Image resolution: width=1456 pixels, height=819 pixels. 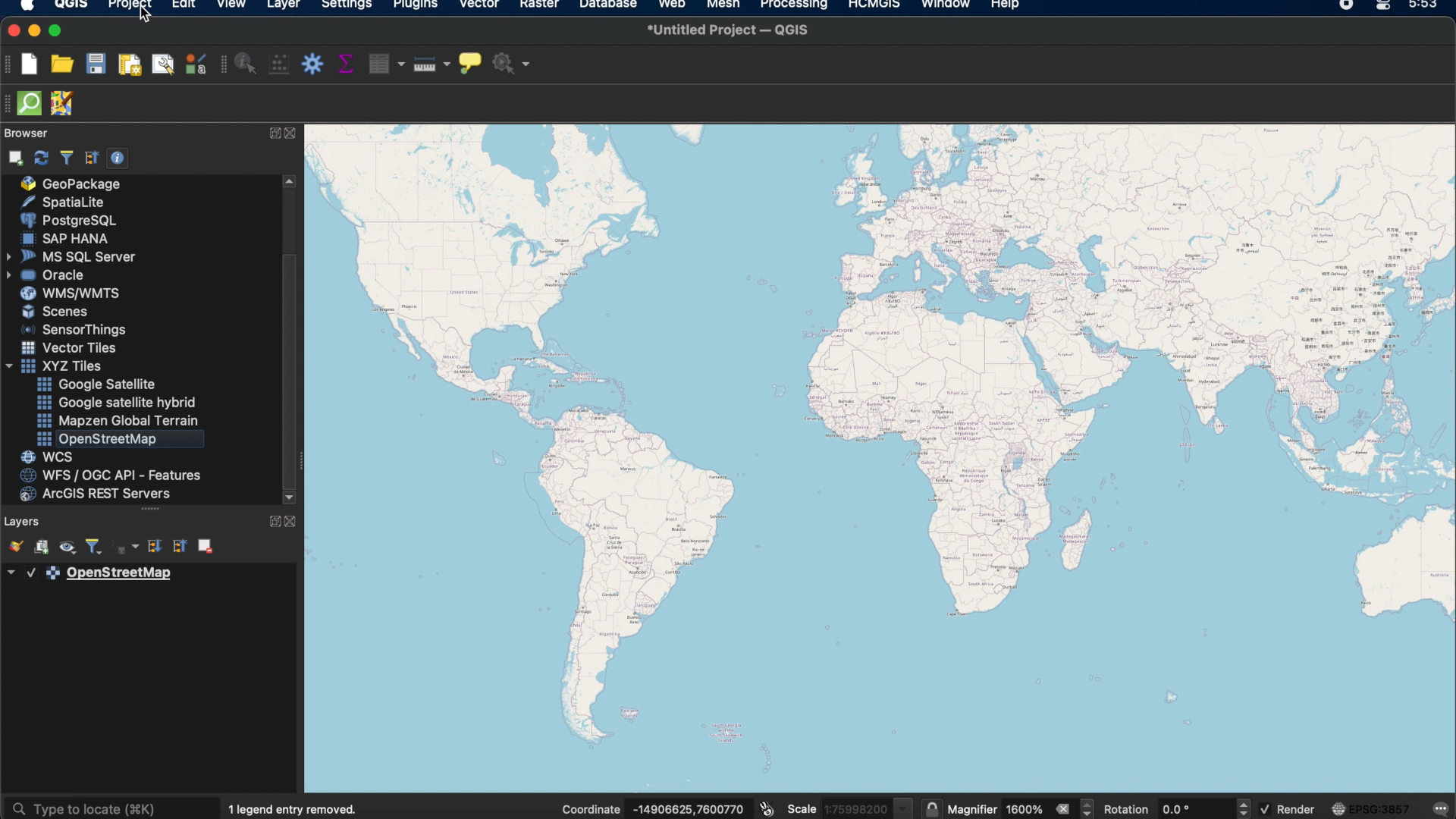 What do you see at coordinates (112, 805) in the screenshot?
I see `type to locate` at bounding box center [112, 805].